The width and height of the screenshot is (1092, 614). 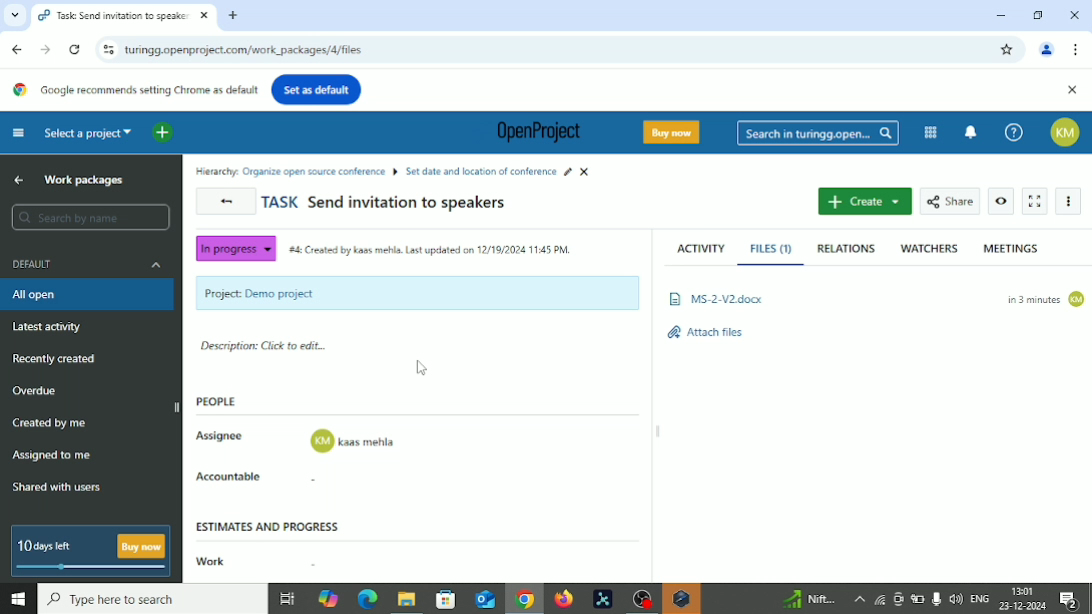 I want to click on Search, so click(x=818, y=134).